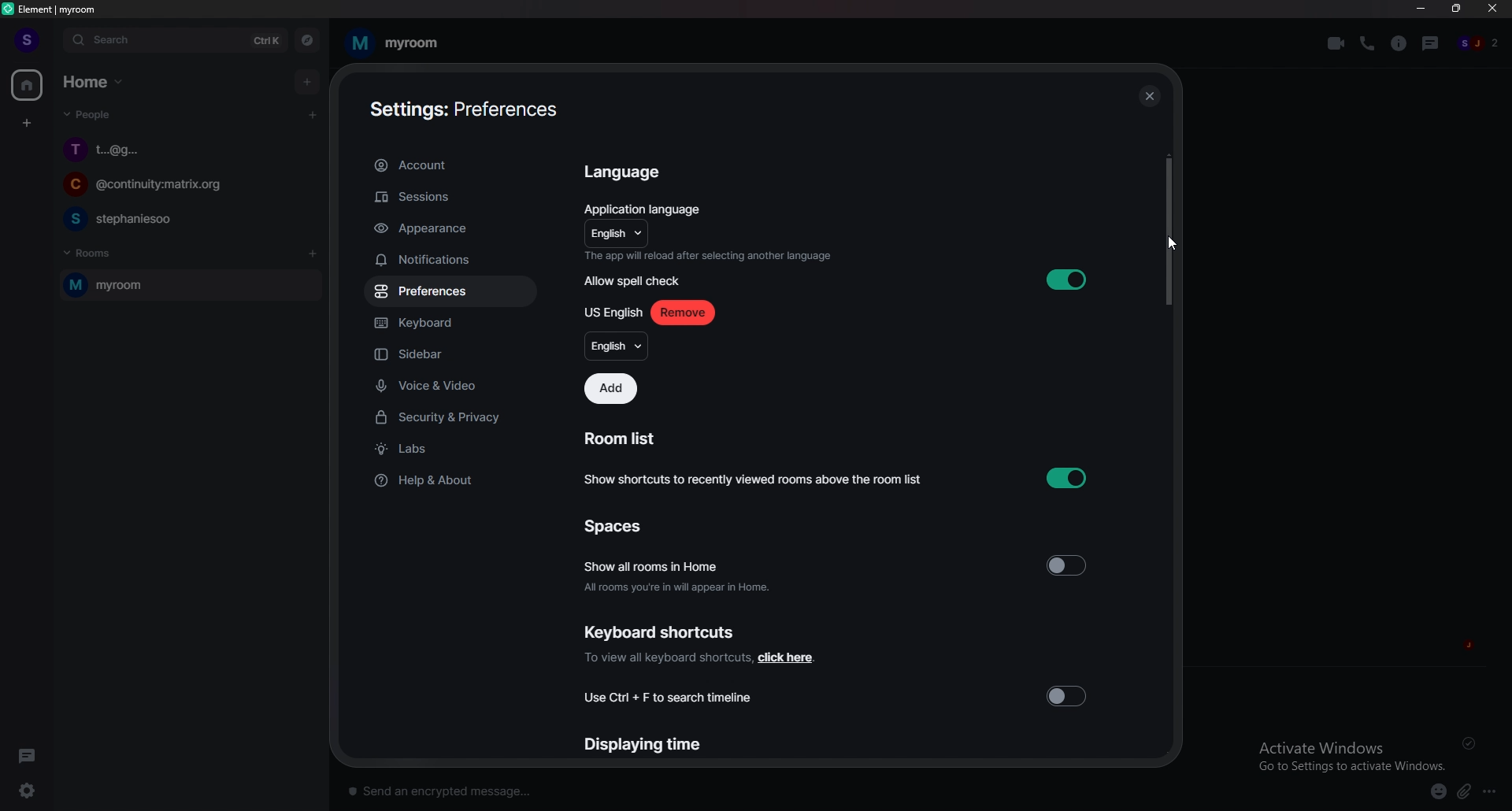 The width and height of the screenshot is (1512, 811). I want to click on appearance, so click(450, 229).